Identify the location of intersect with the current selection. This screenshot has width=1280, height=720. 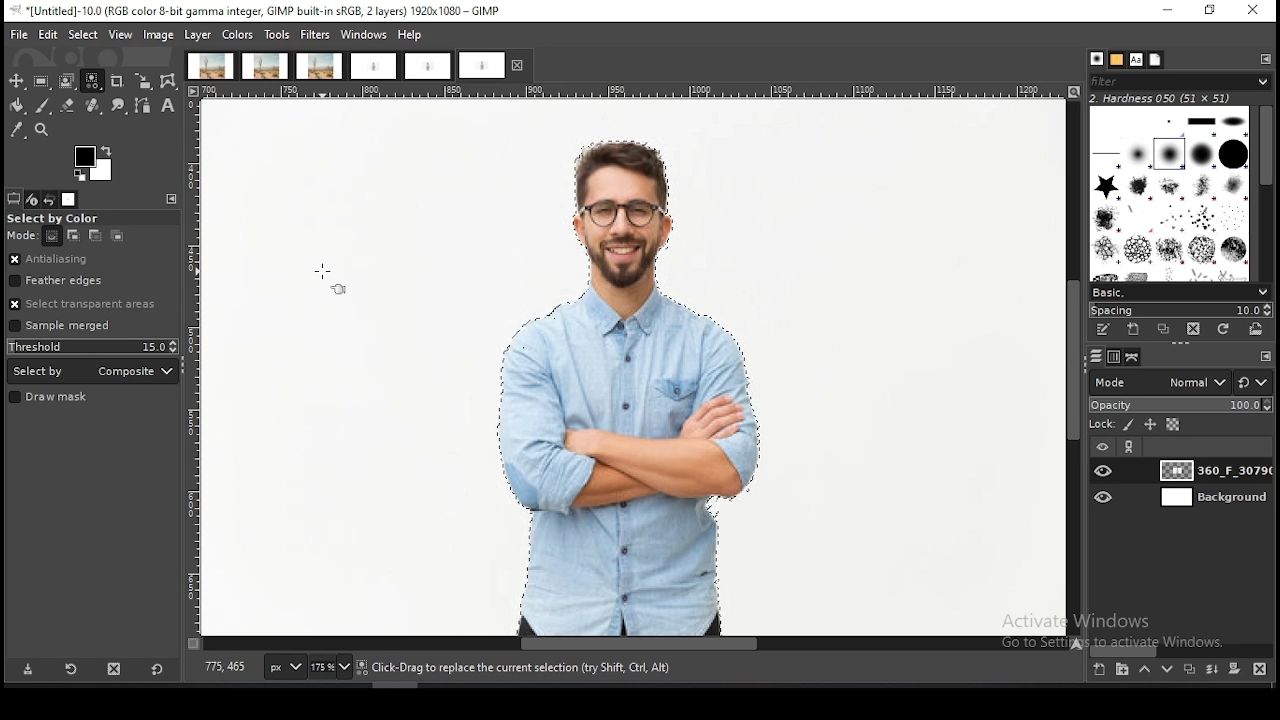
(115, 237).